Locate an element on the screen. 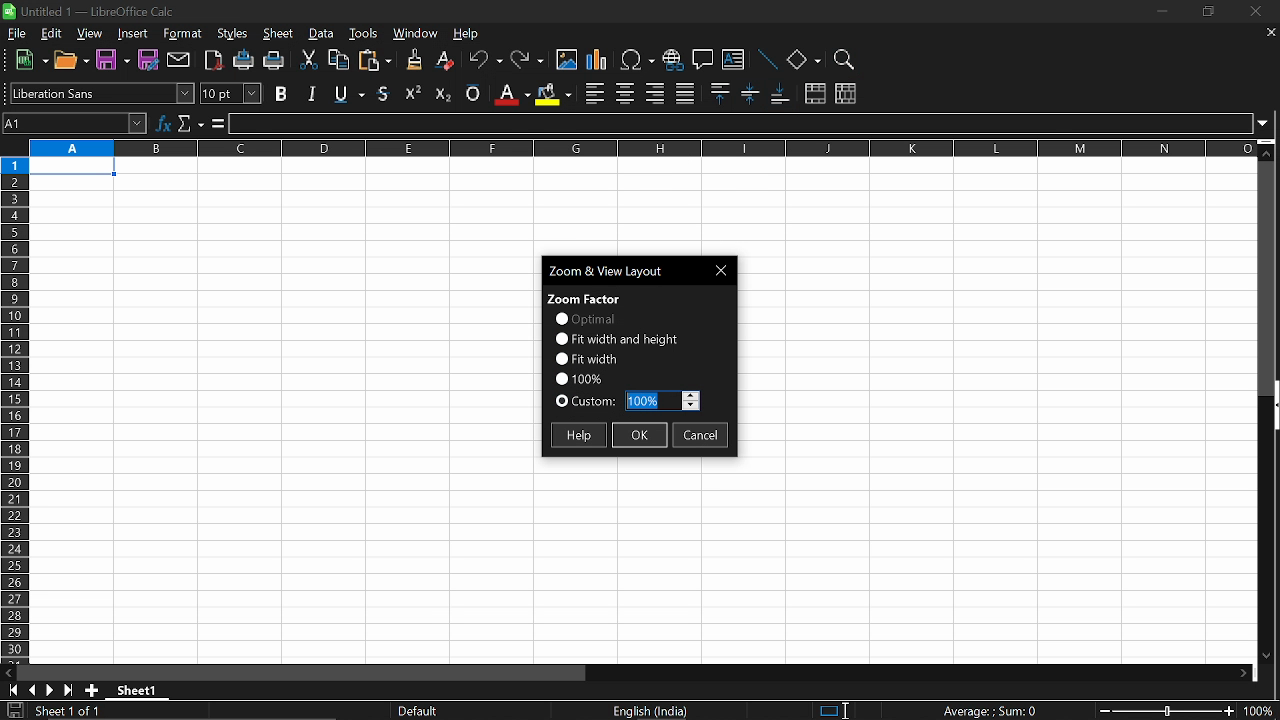 This screenshot has height=720, width=1280. insert symbol is located at coordinates (637, 60).